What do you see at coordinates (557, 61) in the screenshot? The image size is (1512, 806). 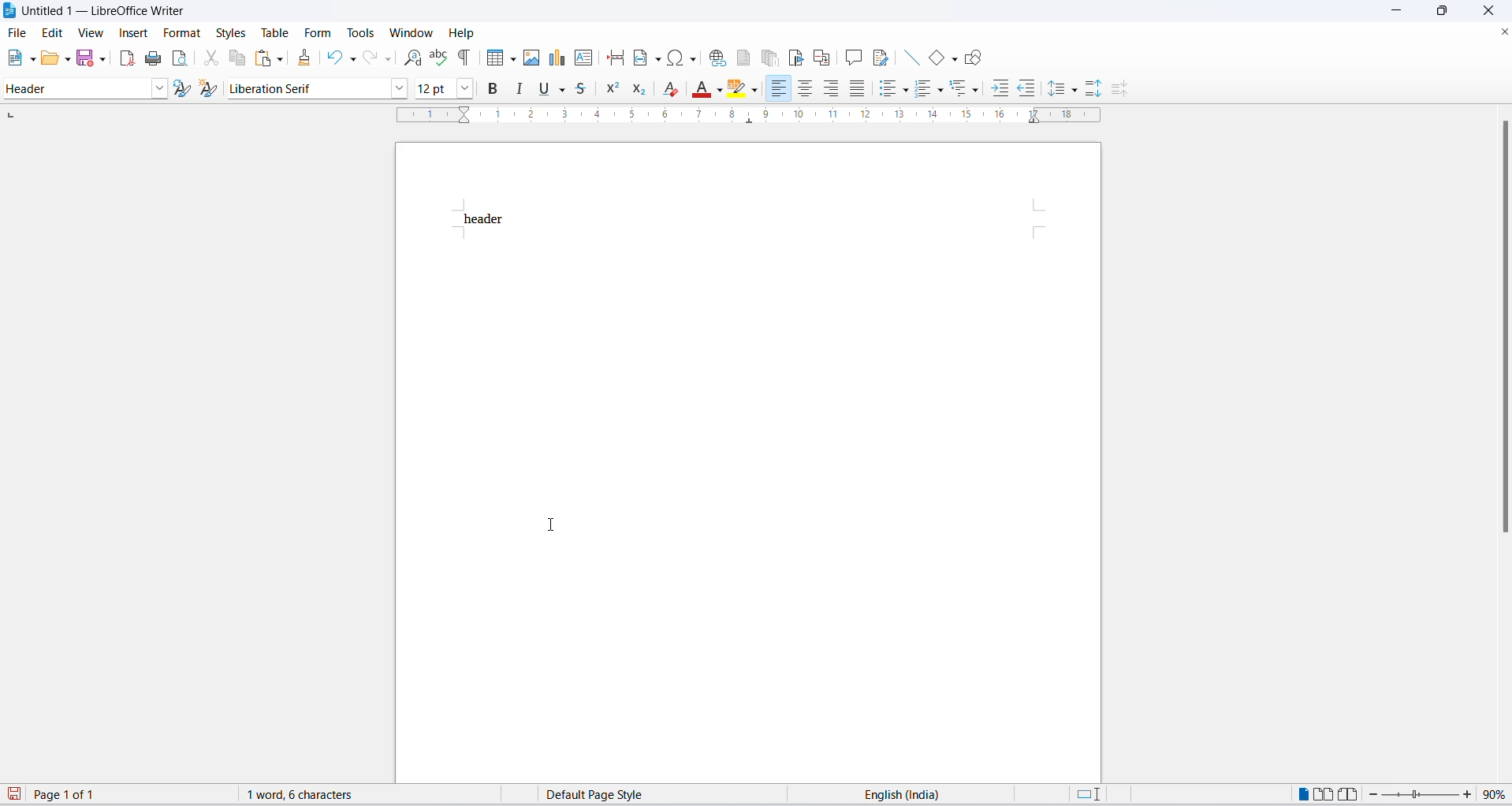 I see `insert chat` at bounding box center [557, 61].